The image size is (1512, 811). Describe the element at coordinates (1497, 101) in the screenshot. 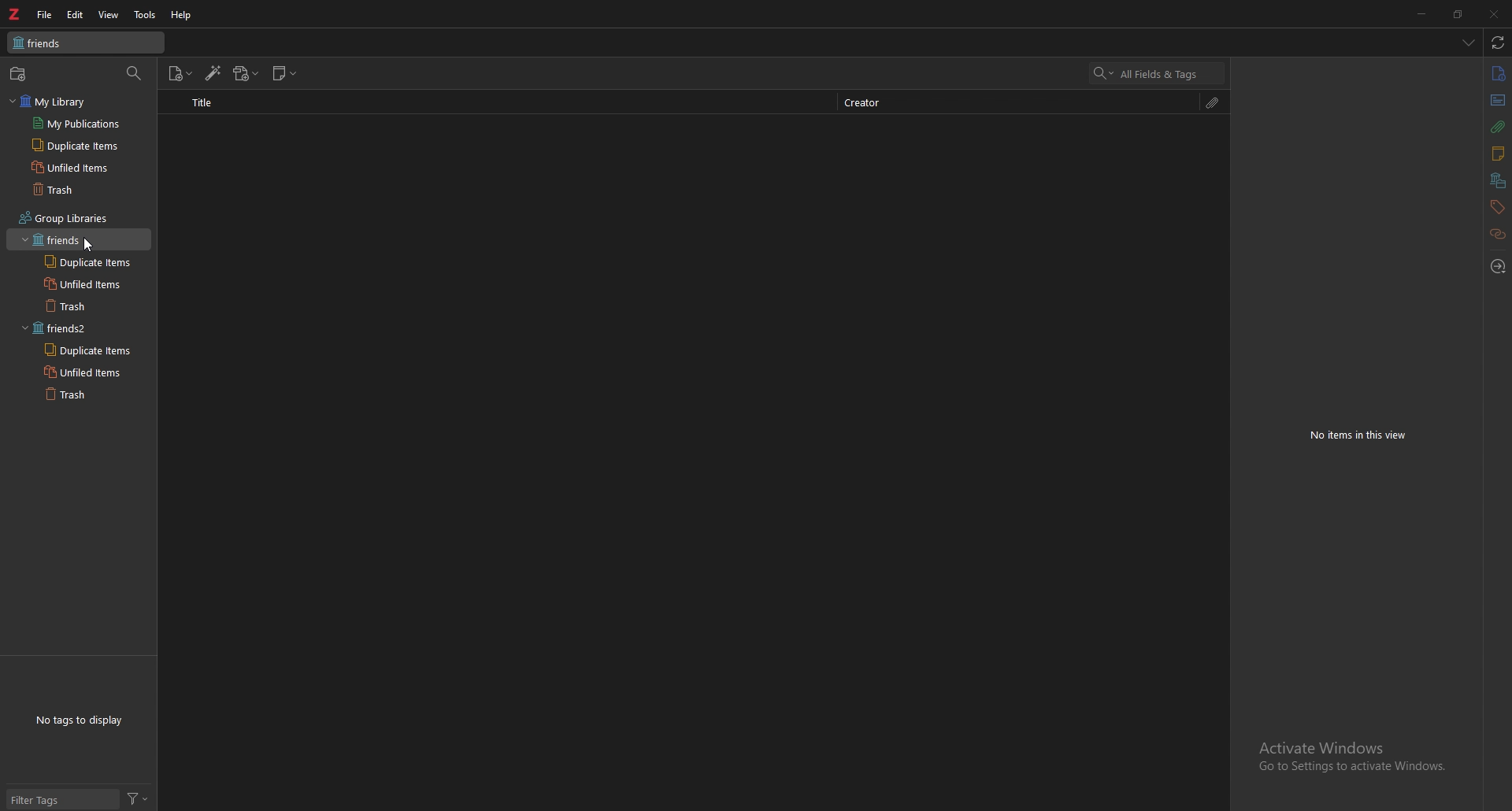

I see `abstract` at that location.